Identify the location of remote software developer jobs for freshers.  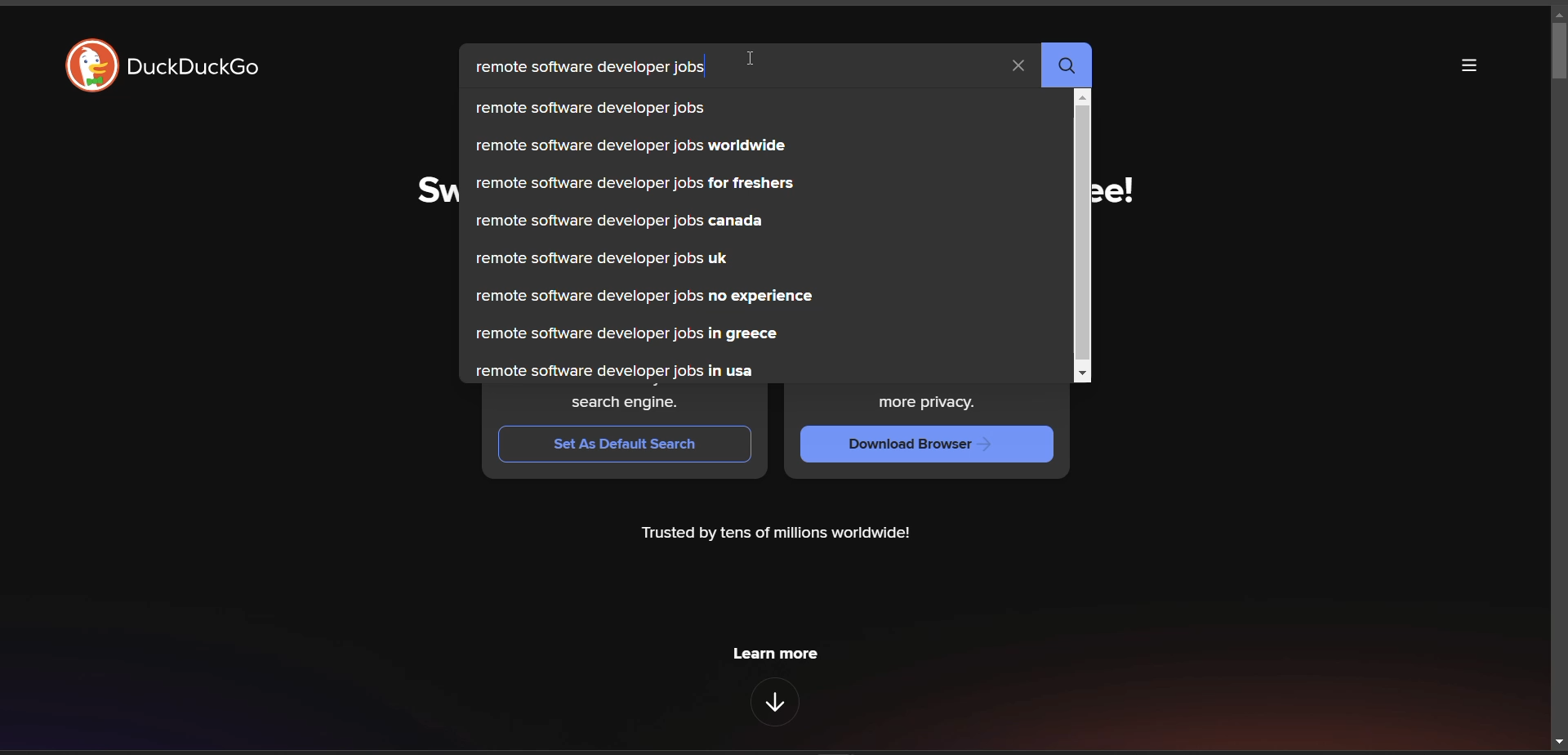
(635, 185).